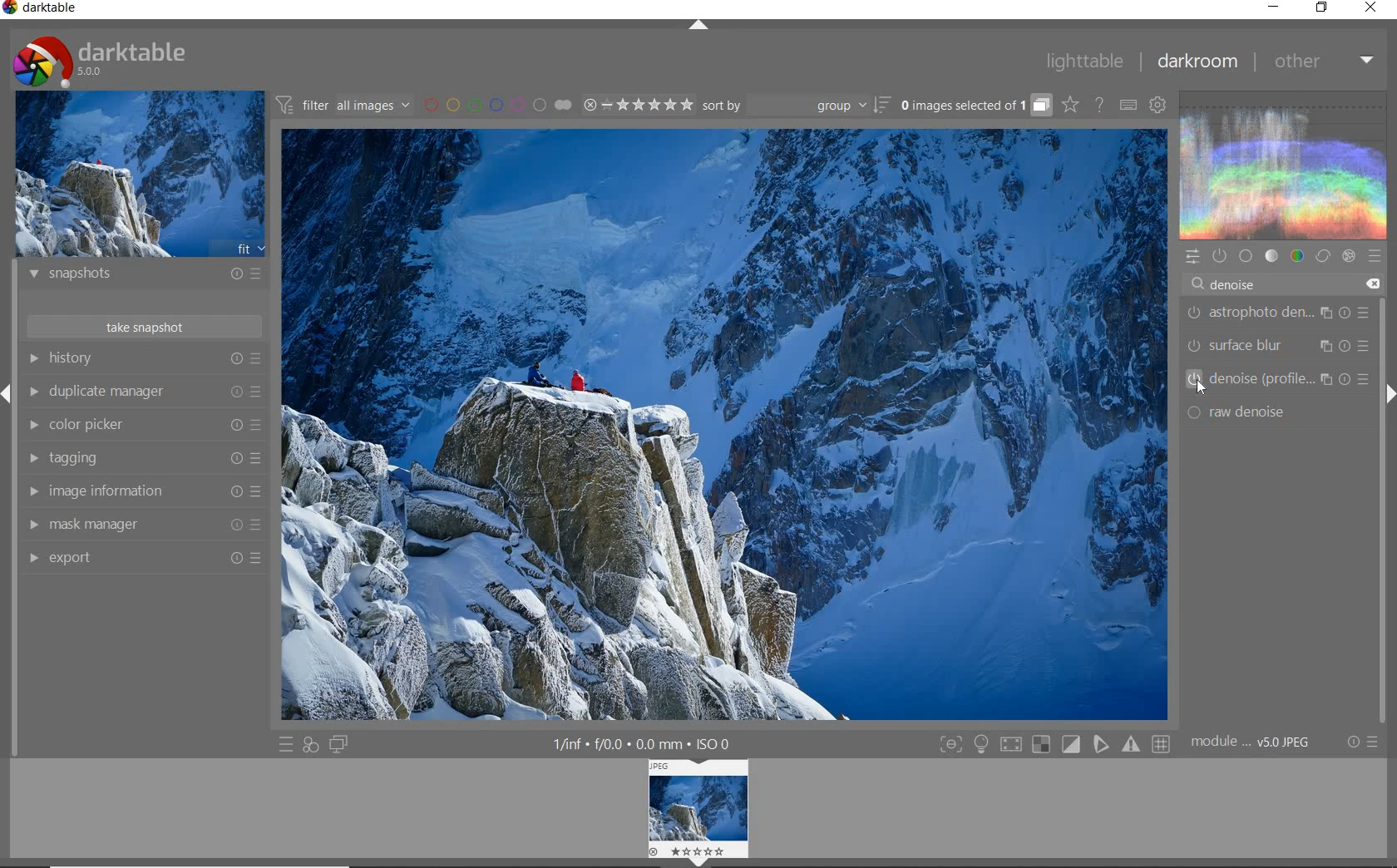  Describe the element at coordinates (1348, 256) in the screenshot. I see `effect` at that location.